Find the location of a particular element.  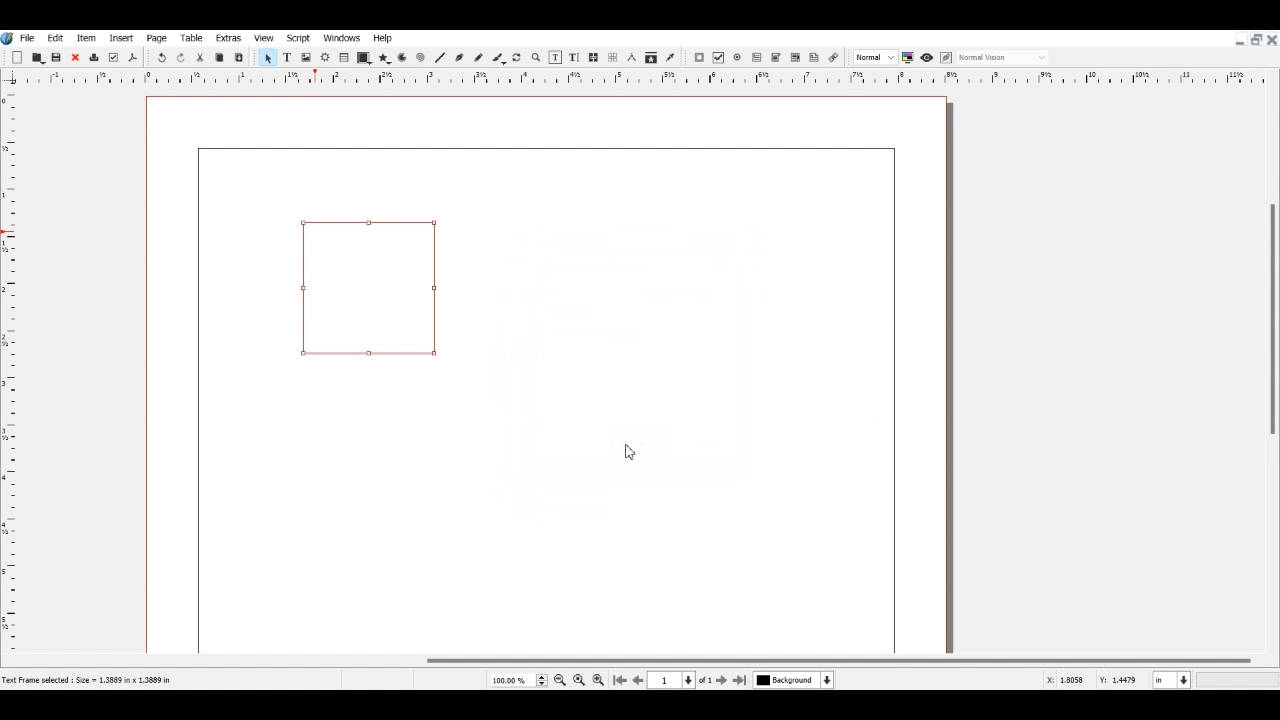

Preflight verifier is located at coordinates (113, 58).